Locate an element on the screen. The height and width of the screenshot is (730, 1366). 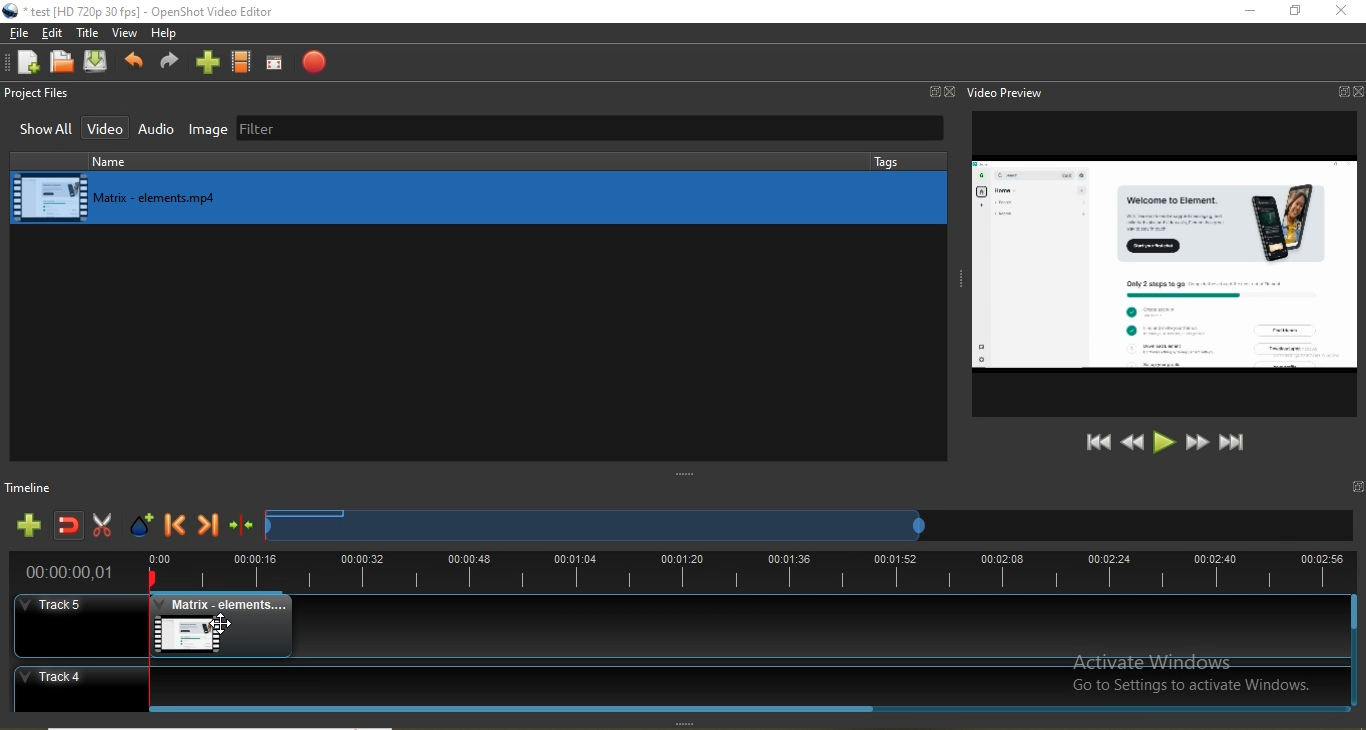
Track is located at coordinates (679, 624).